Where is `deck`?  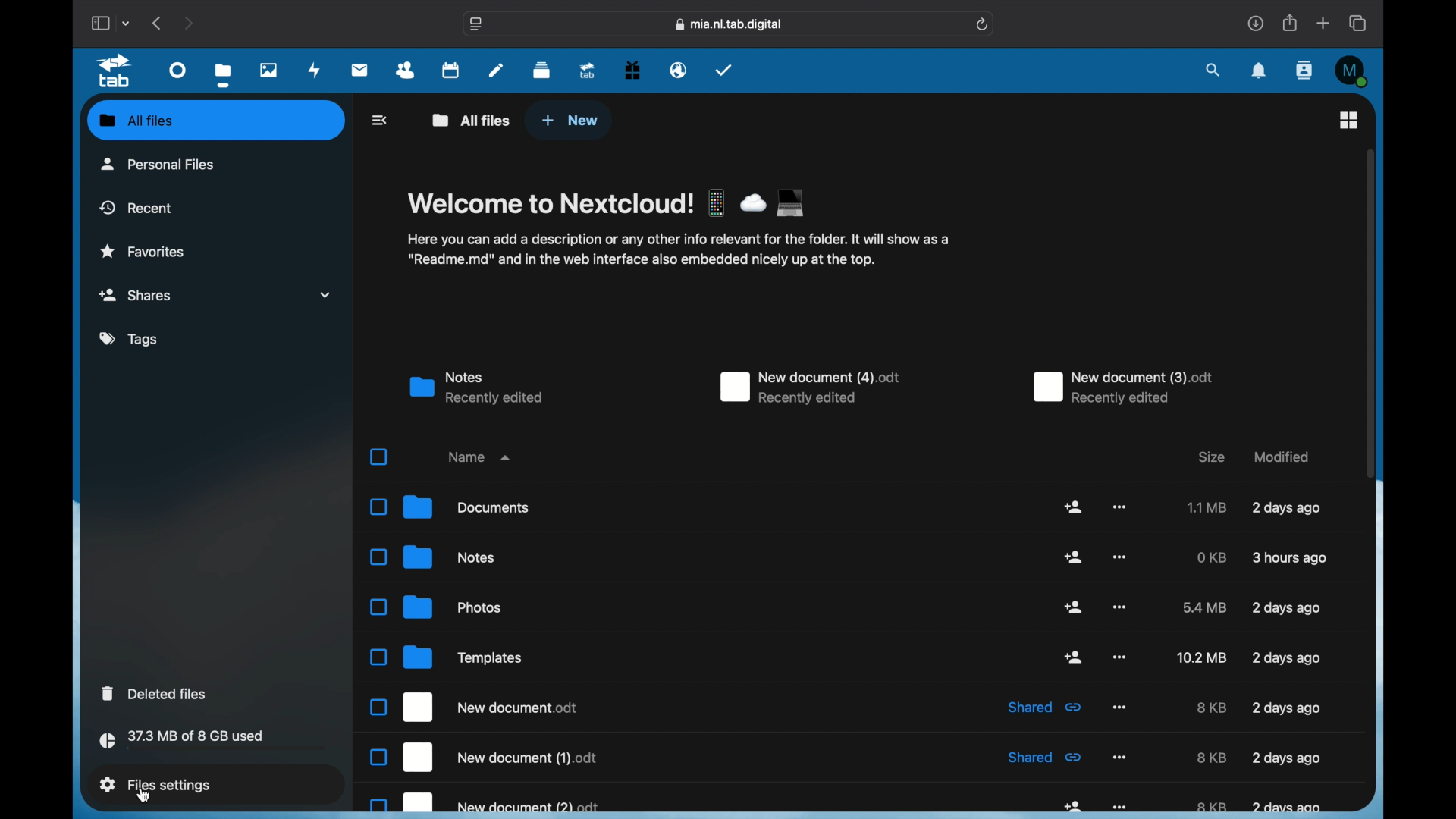 deck is located at coordinates (541, 69).